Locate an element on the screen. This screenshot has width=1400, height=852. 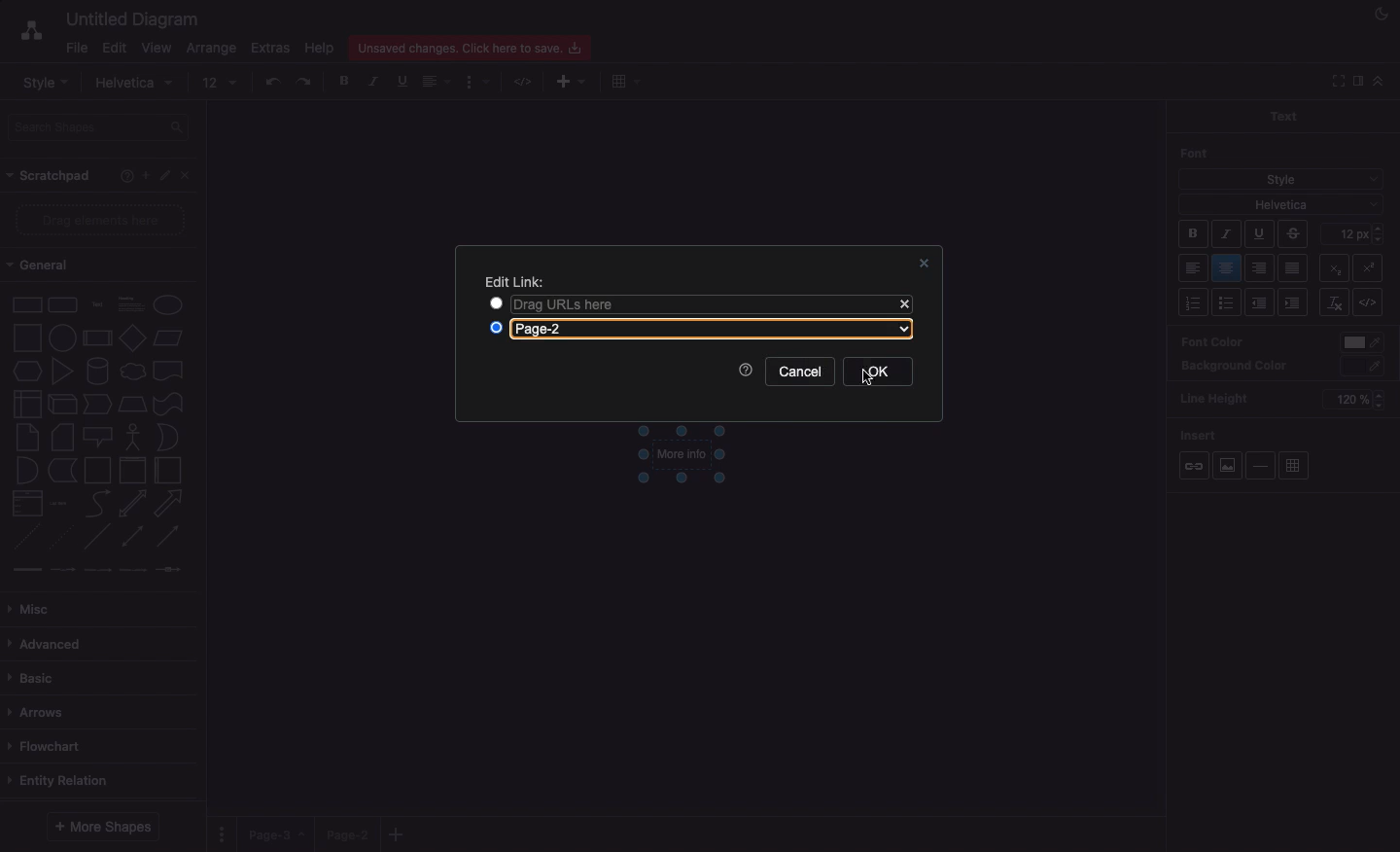
Link is located at coordinates (1194, 467).